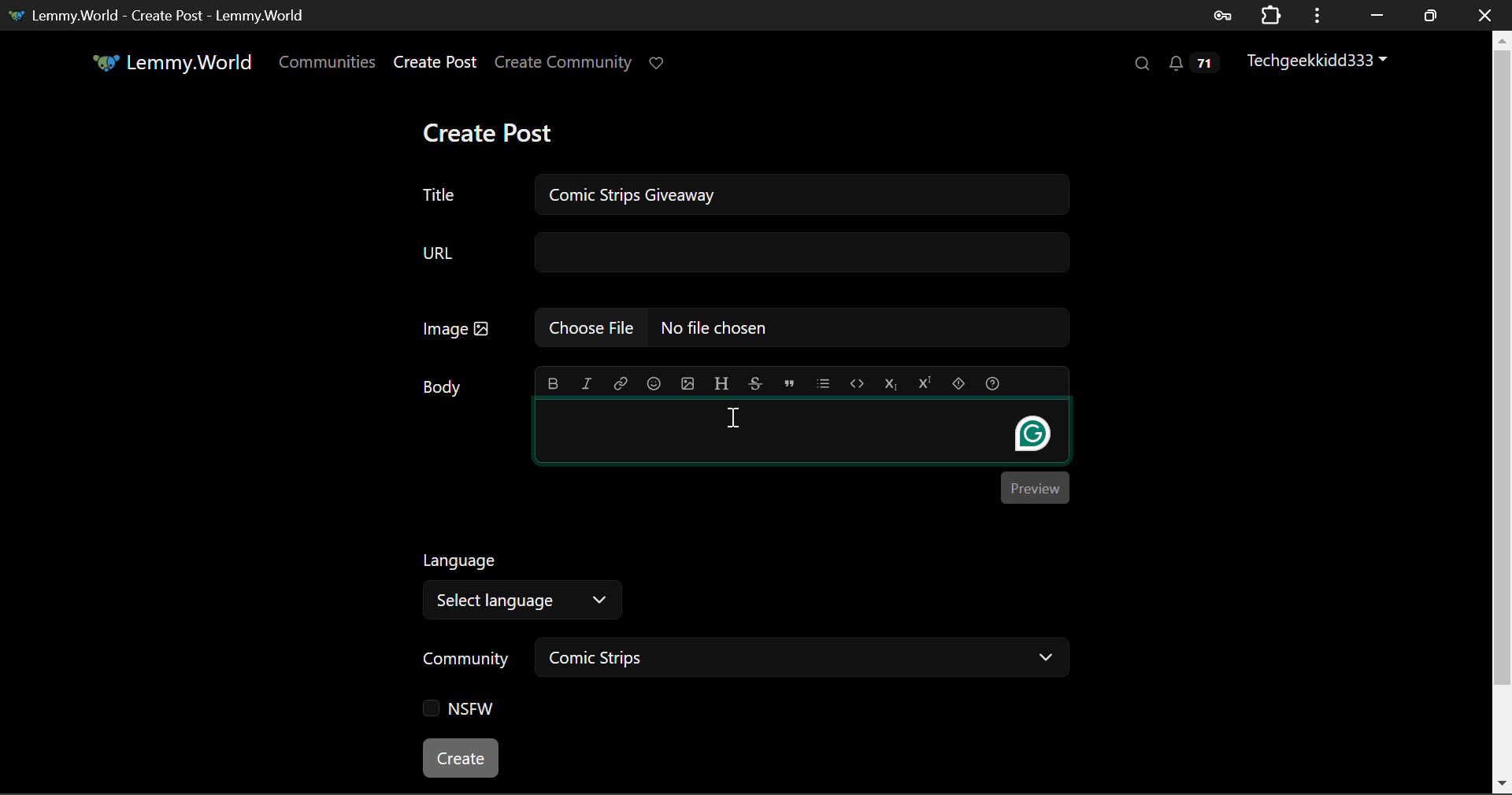 The image size is (1512, 795). I want to click on Create Post, so click(491, 128).